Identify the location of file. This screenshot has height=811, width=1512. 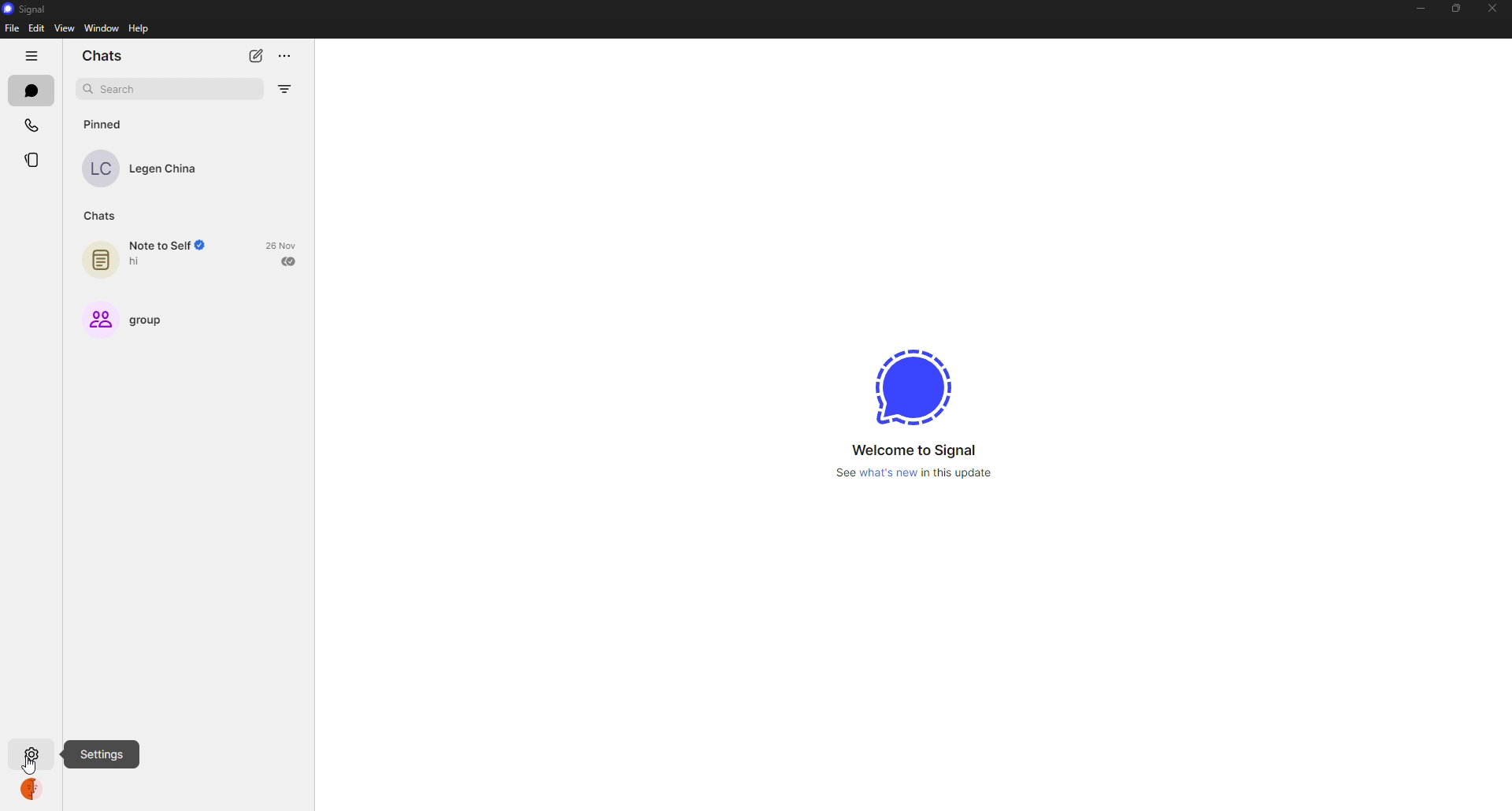
(12, 29).